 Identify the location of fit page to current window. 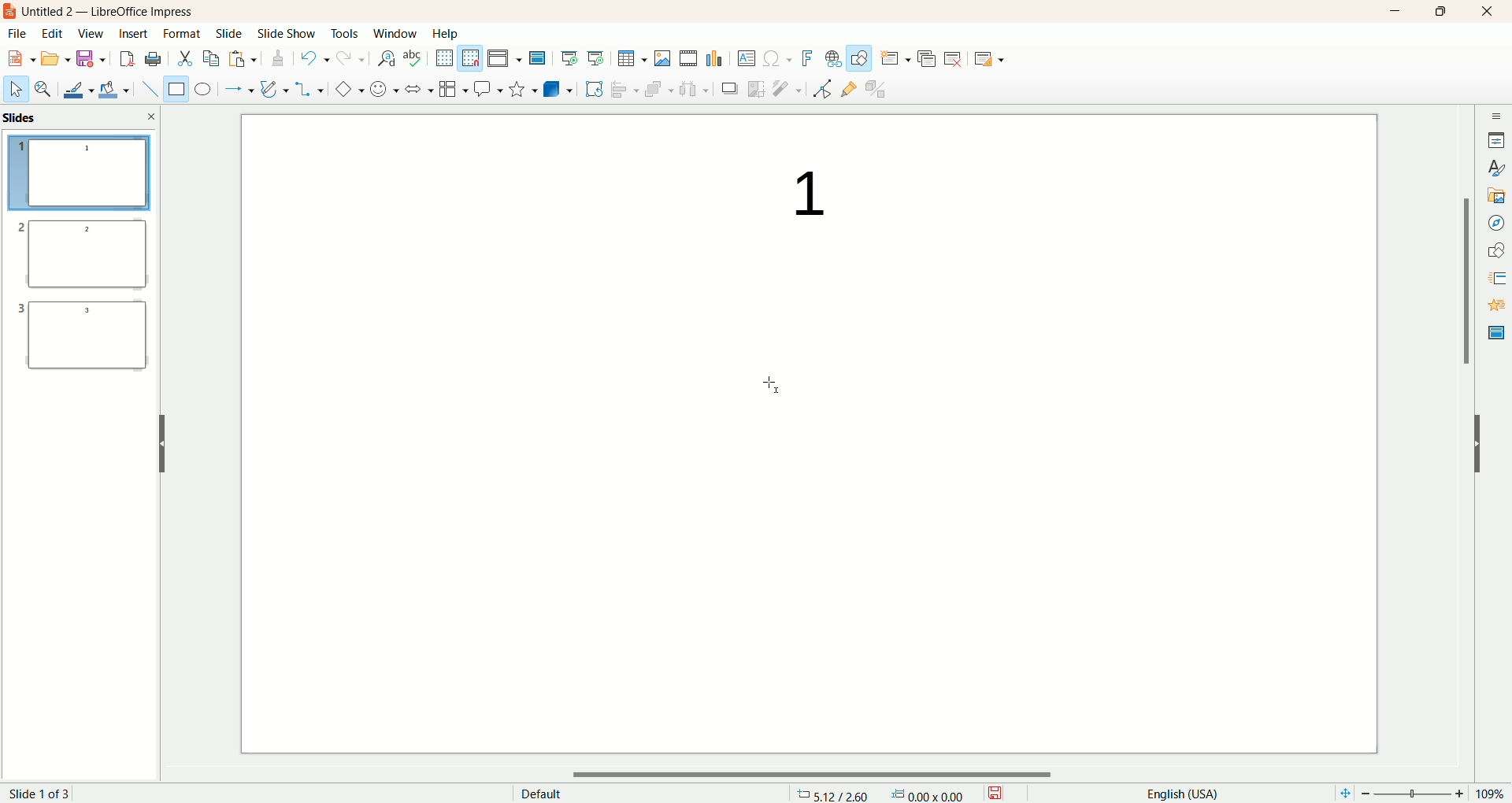
(1340, 794).